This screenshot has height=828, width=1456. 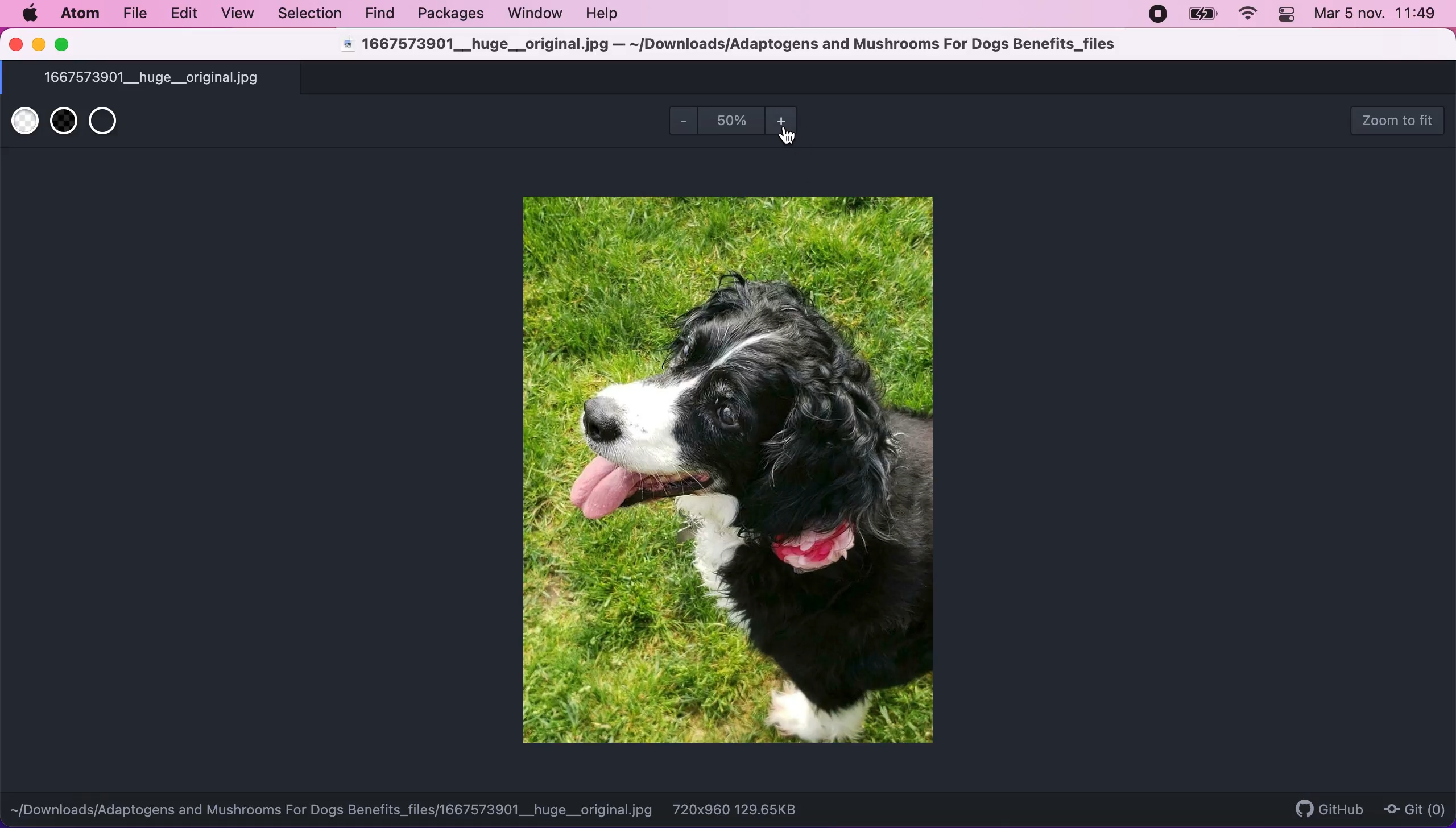 What do you see at coordinates (383, 14) in the screenshot?
I see `find` at bounding box center [383, 14].